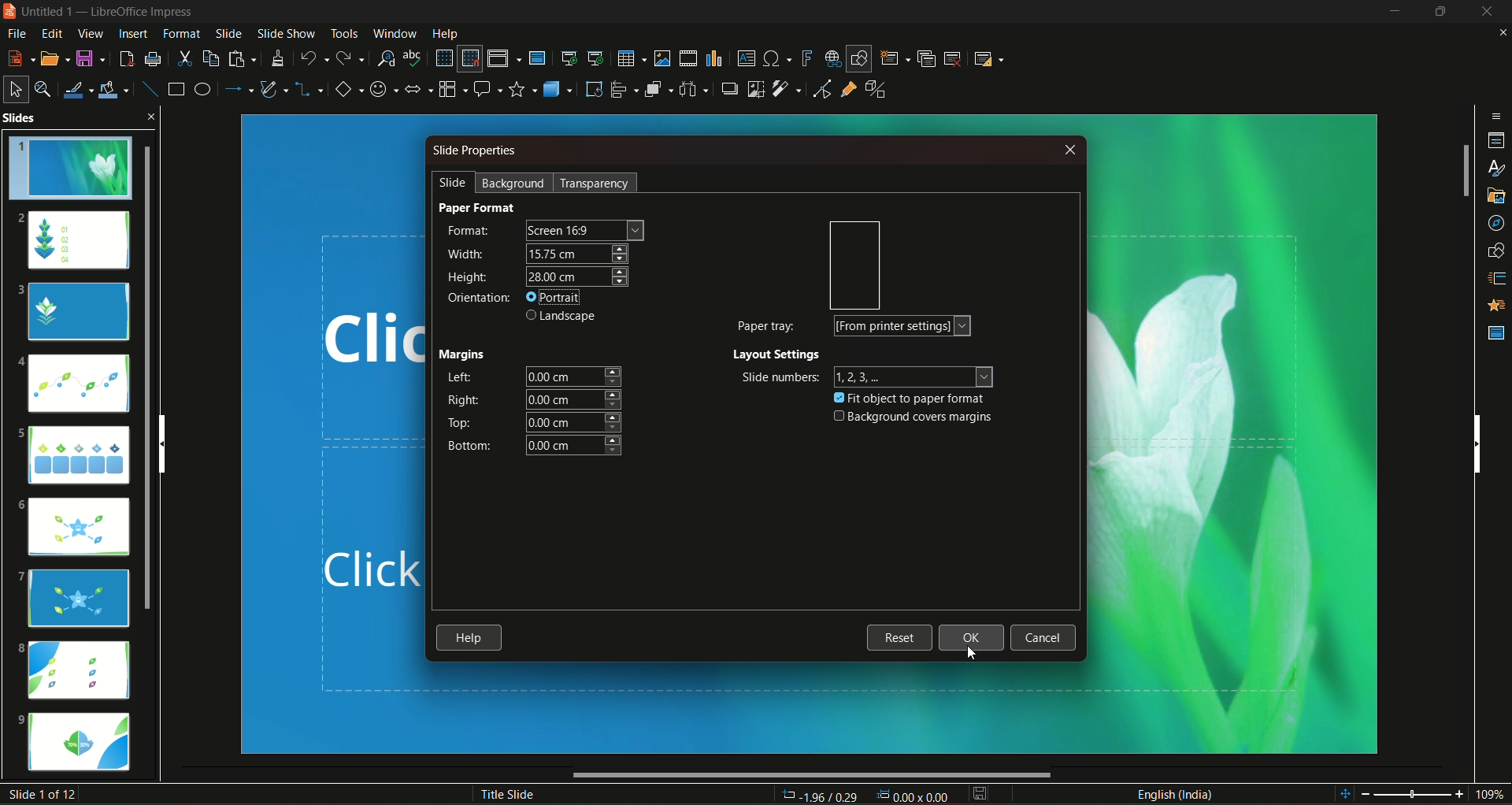 This screenshot has width=1512, height=805. Describe the element at coordinates (76, 169) in the screenshot. I see `slide 1` at that location.